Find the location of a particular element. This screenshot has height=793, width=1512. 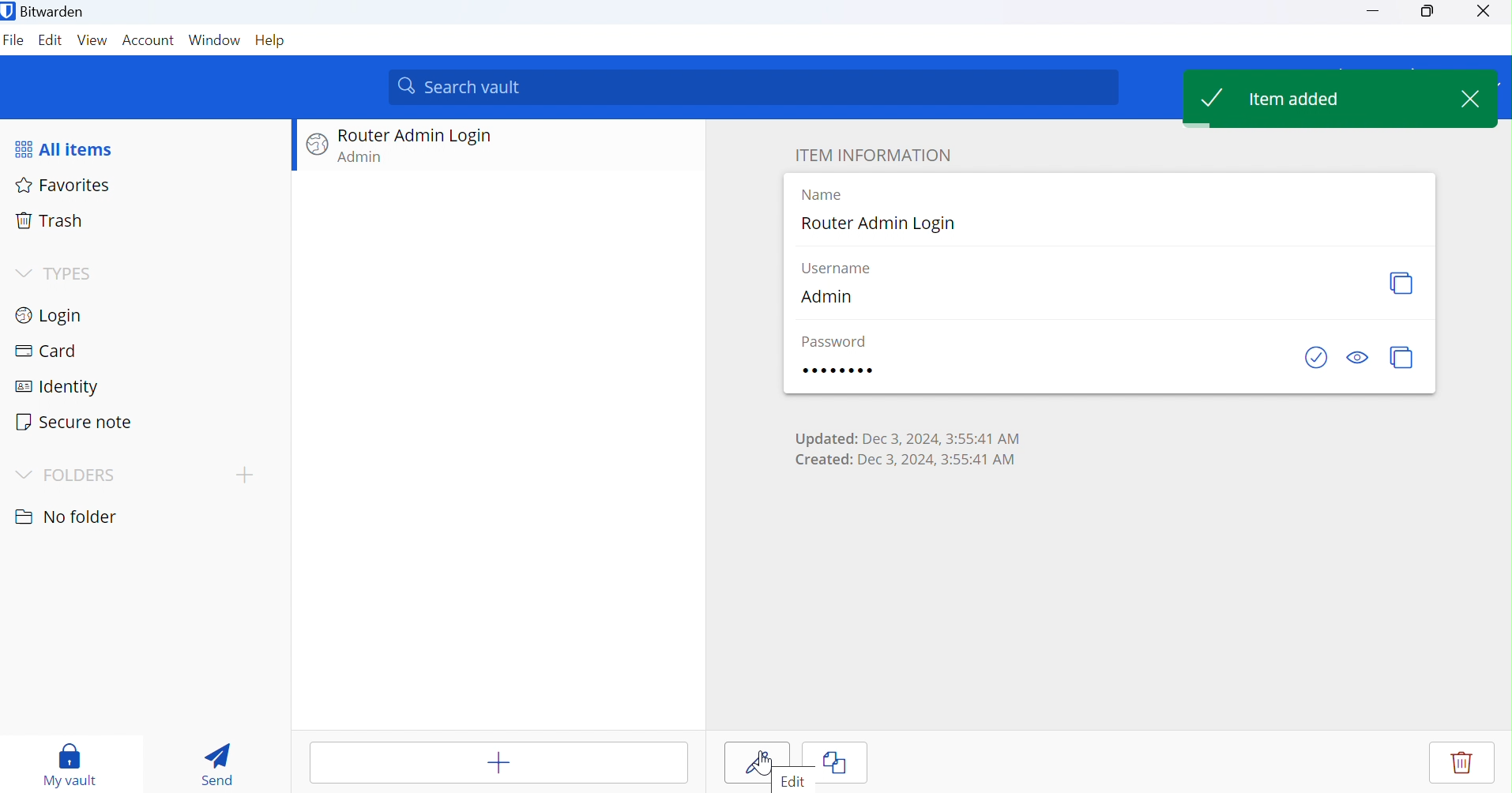

Favorites is located at coordinates (65, 184).